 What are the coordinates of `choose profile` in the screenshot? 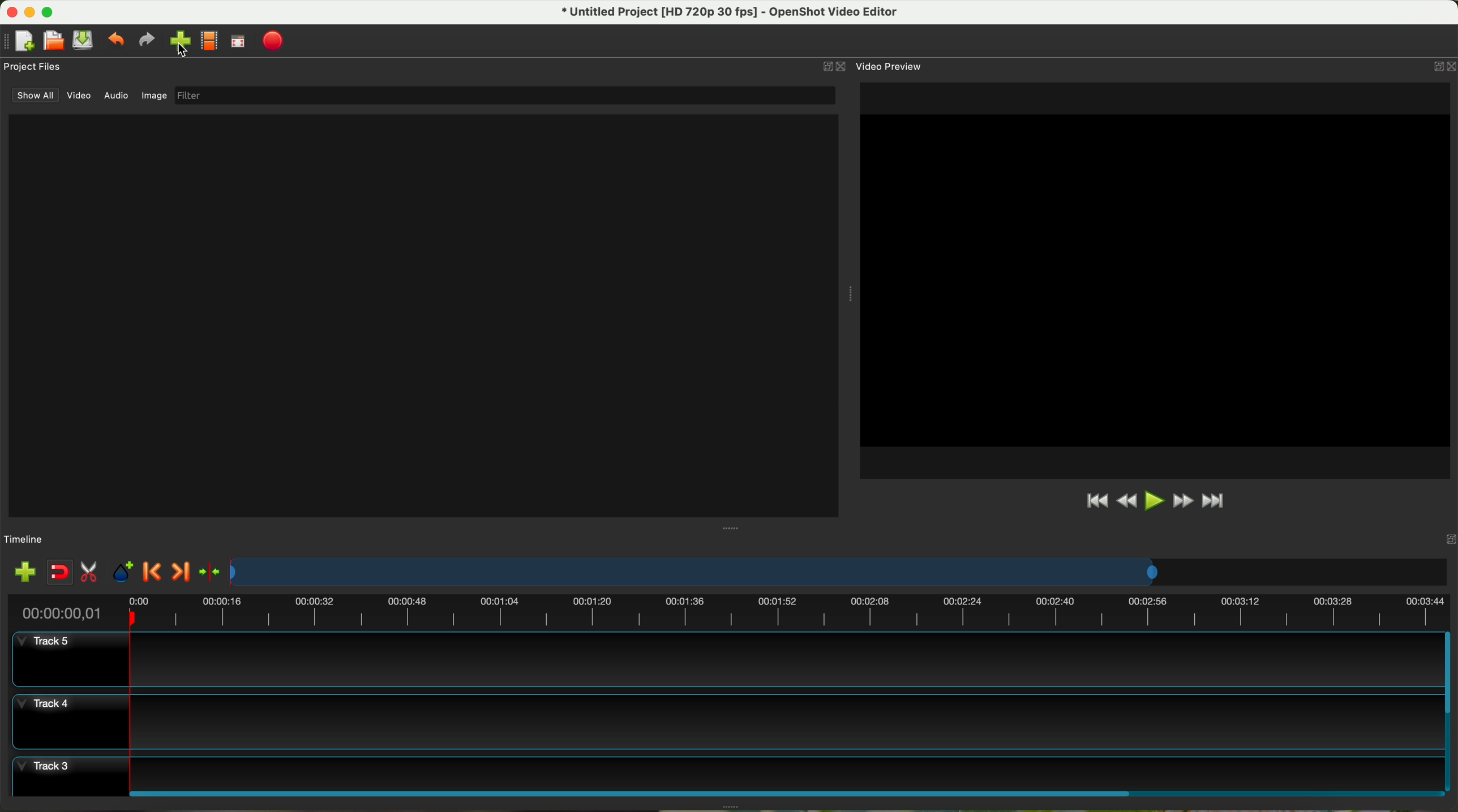 It's located at (209, 41).